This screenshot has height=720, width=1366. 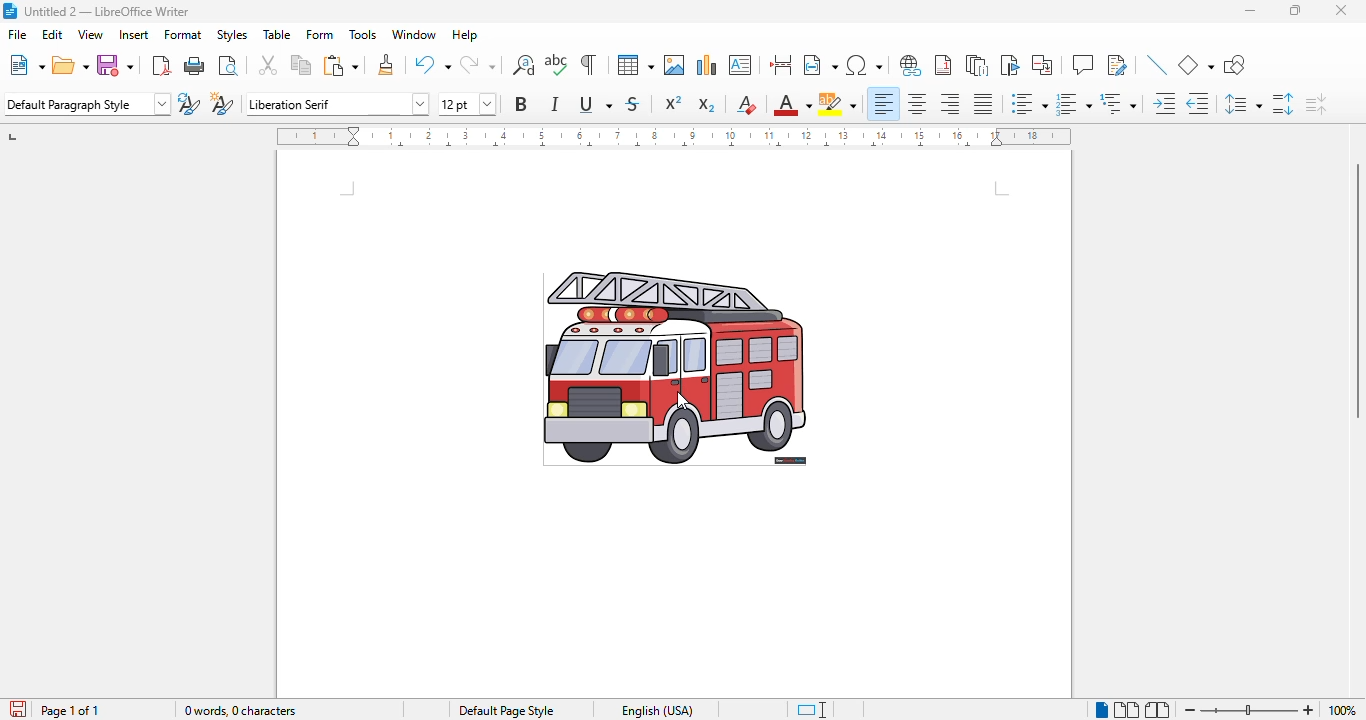 I want to click on file, so click(x=18, y=33).